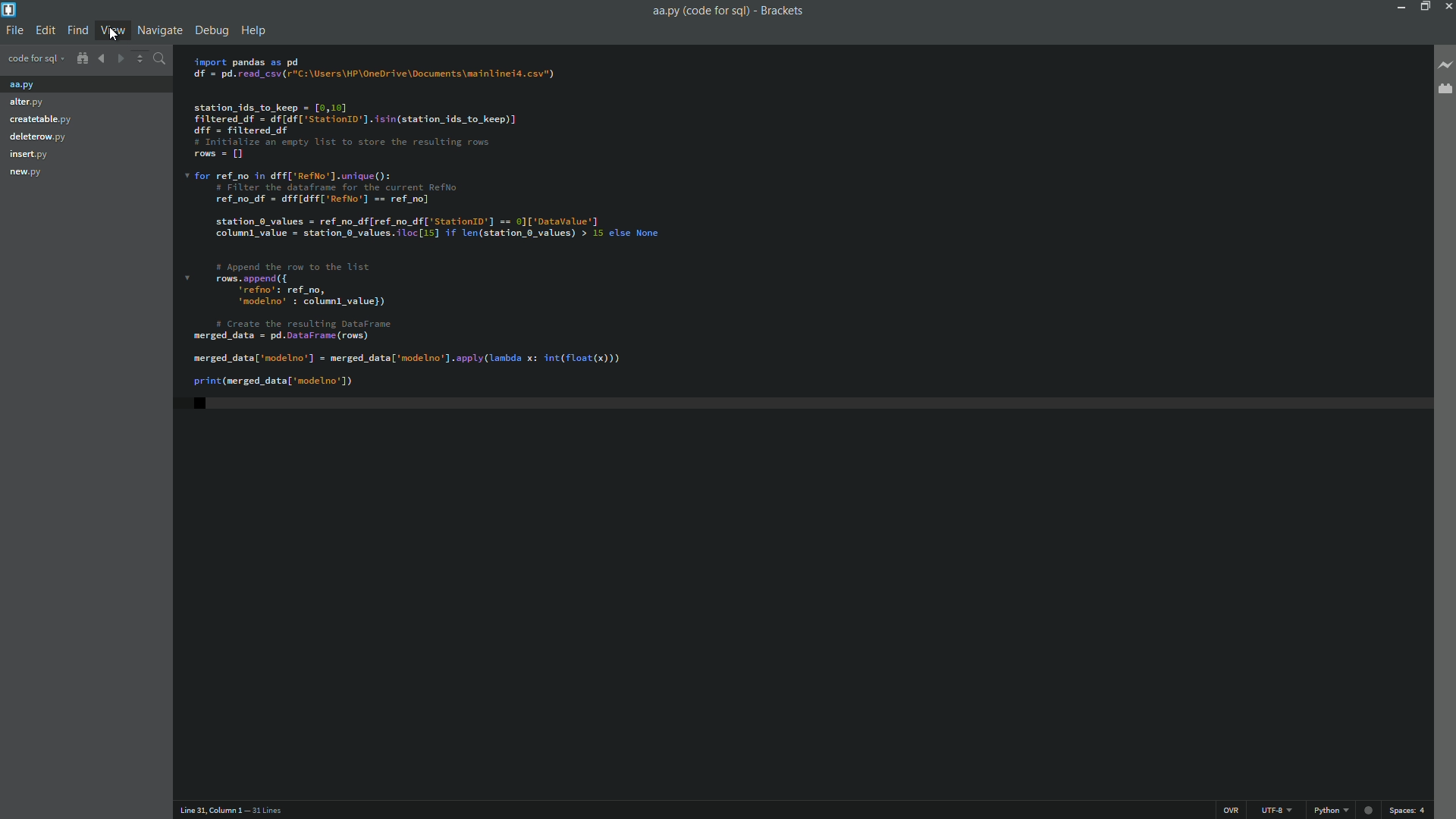 This screenshot has width=1456, height=819. Describe the element at coordinates (24, 86) in the screenshot. I see `aa.py` at that location.